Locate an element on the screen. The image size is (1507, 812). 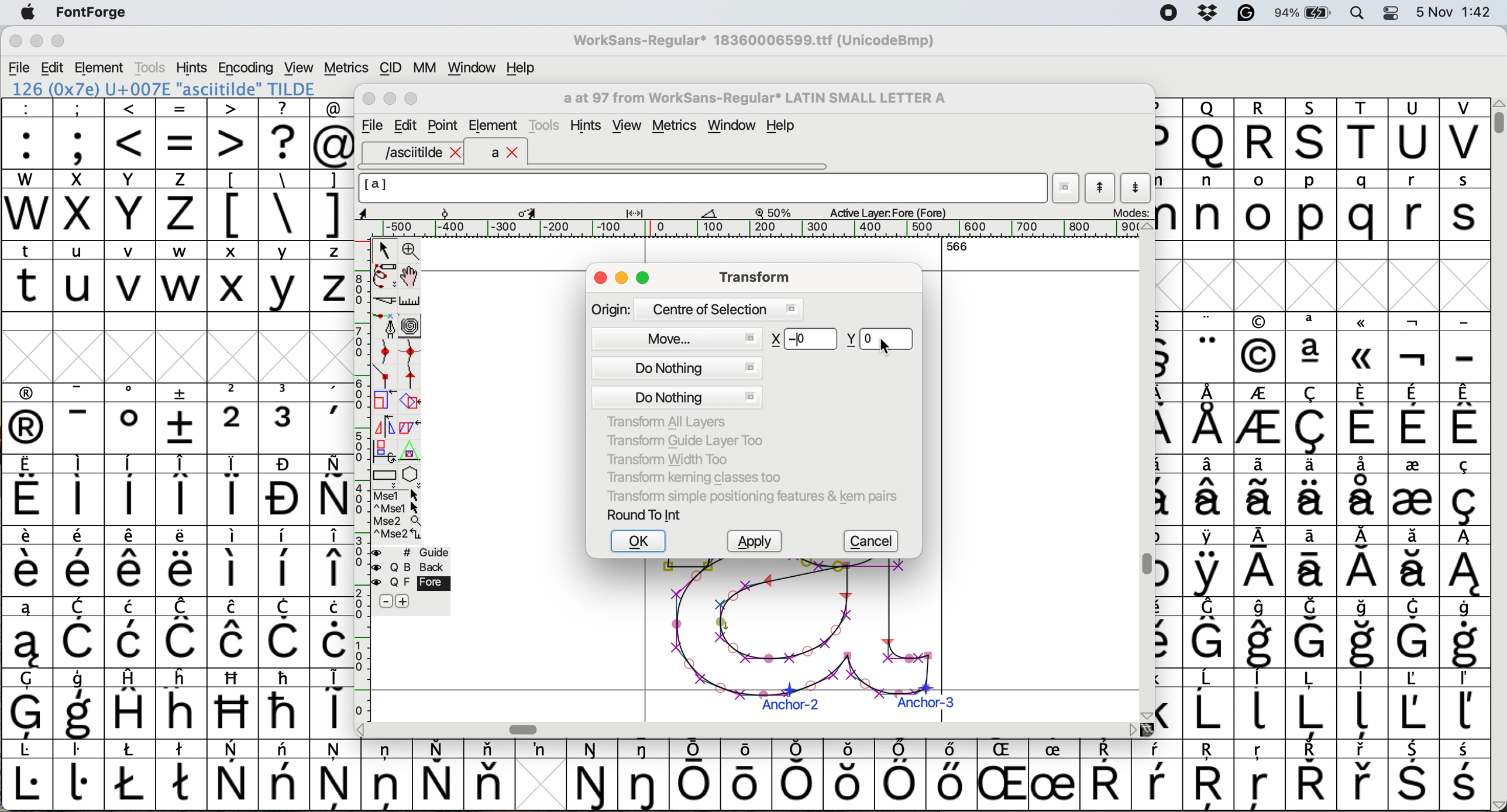
symbol is located at coordinates (1260, 563).